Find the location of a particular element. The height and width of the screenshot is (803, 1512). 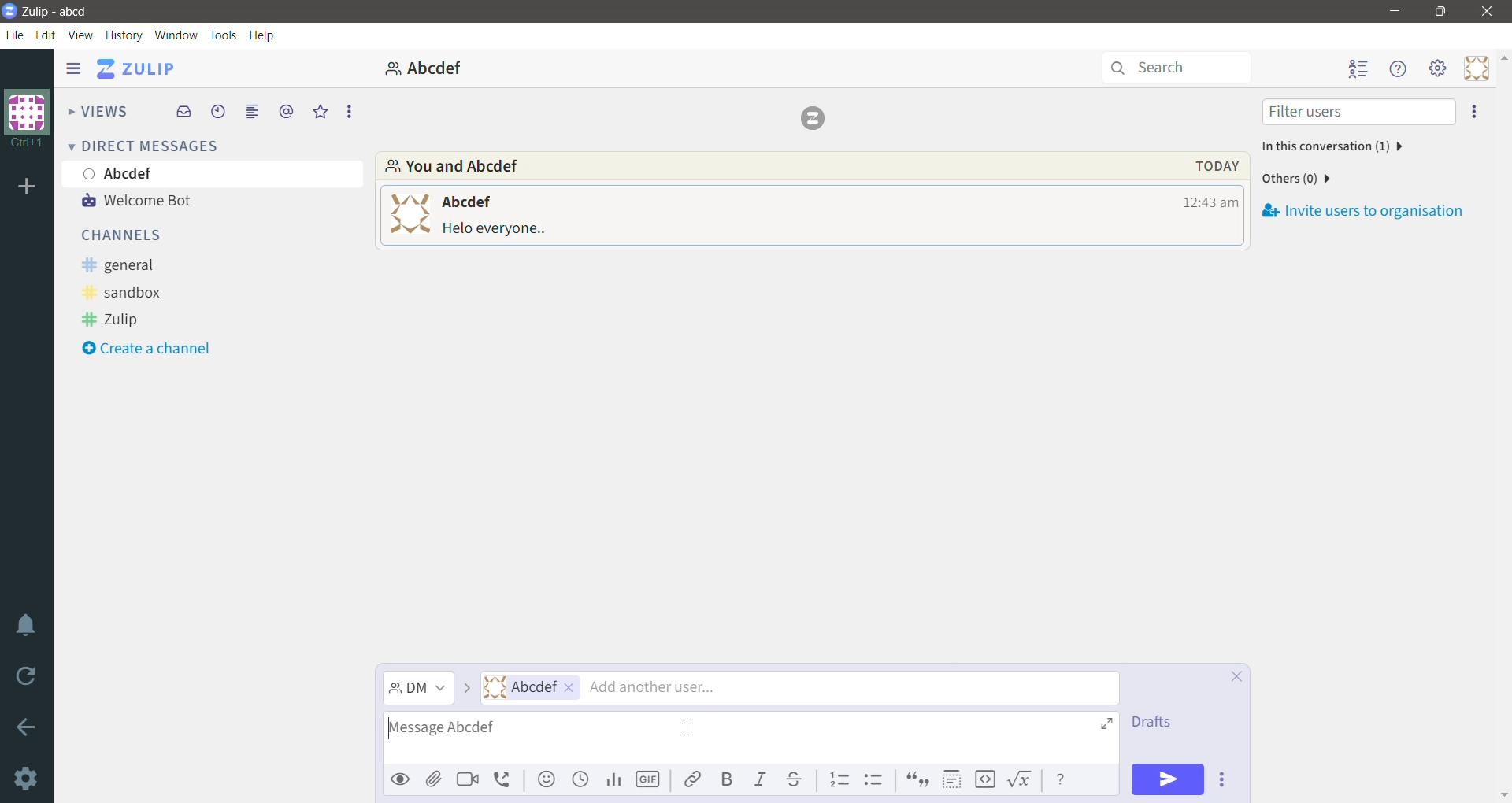

Help is located at coordinates (265, 35).